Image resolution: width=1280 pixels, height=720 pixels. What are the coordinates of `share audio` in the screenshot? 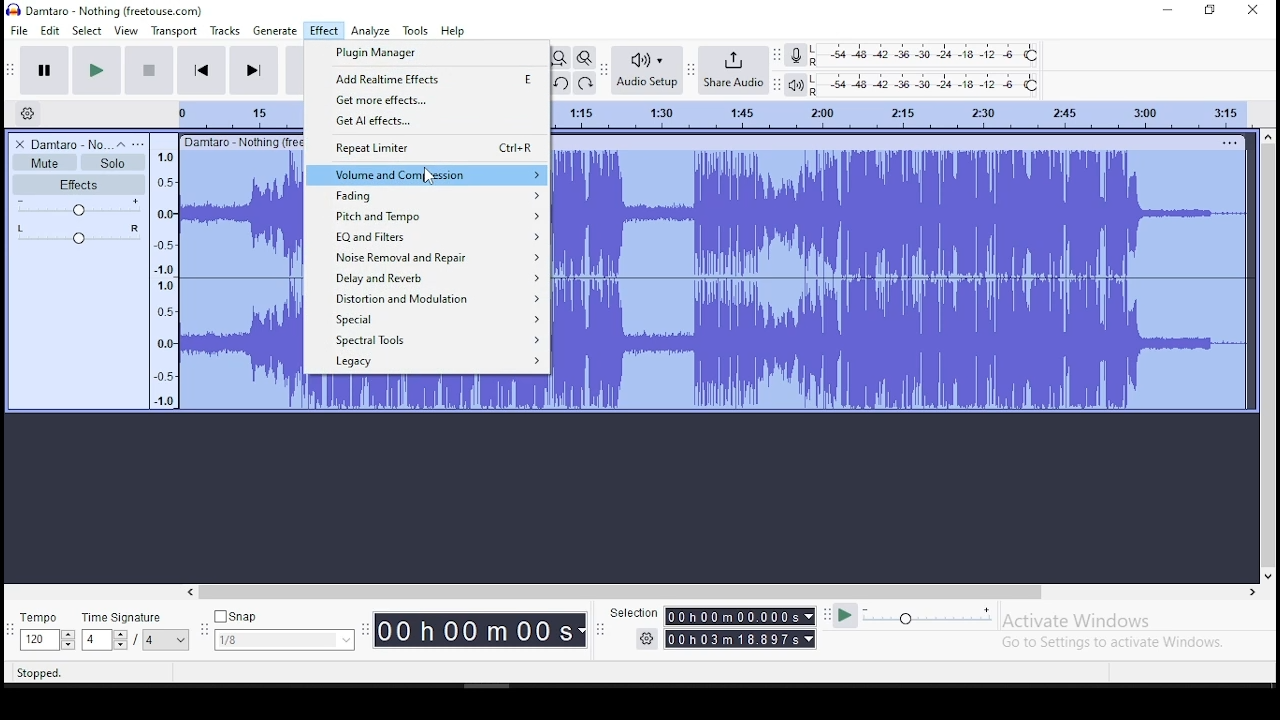 It's located at (734, 68).